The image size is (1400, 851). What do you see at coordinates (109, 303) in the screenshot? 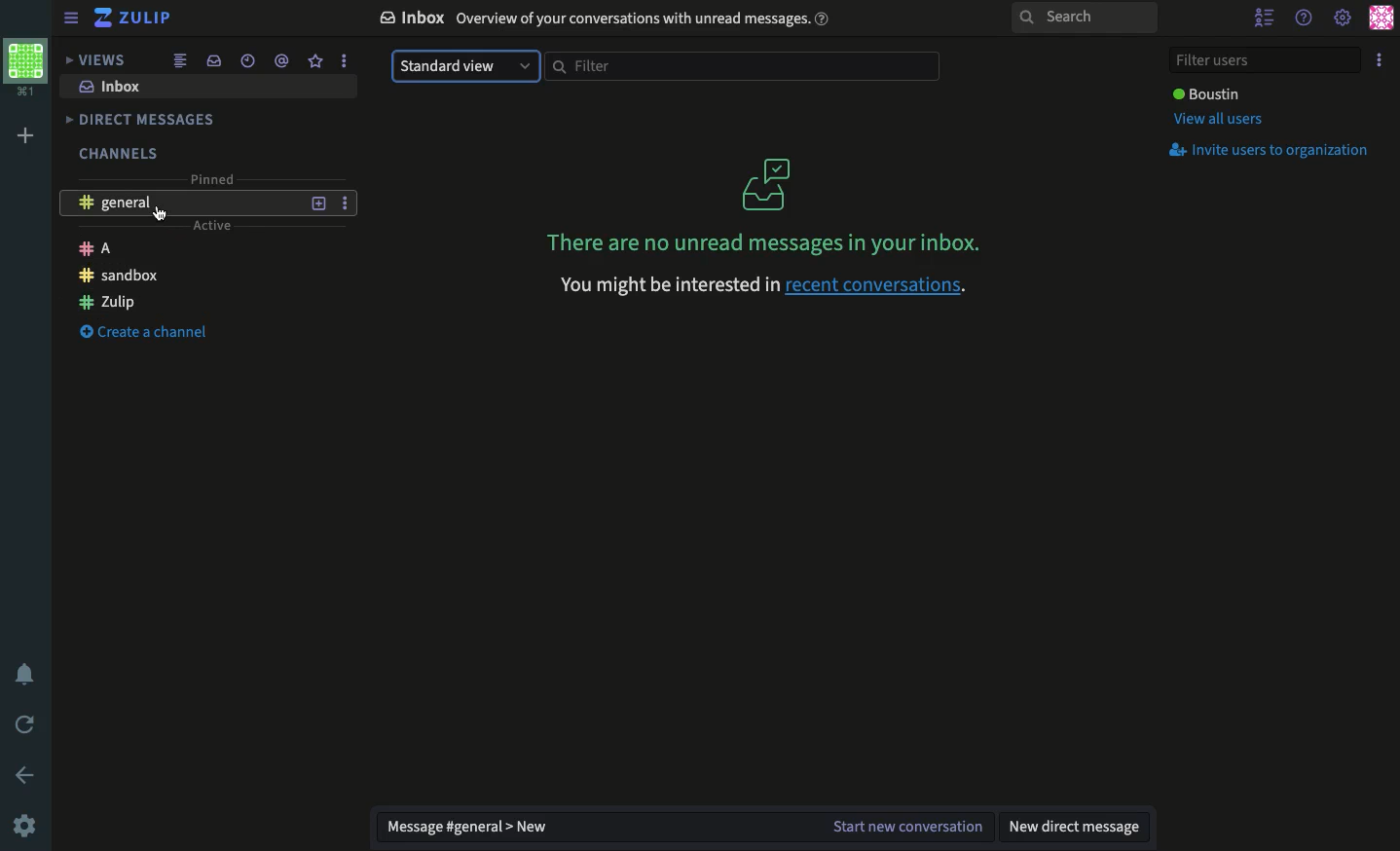
I see `Zulip` at bounding box center [109, 303].